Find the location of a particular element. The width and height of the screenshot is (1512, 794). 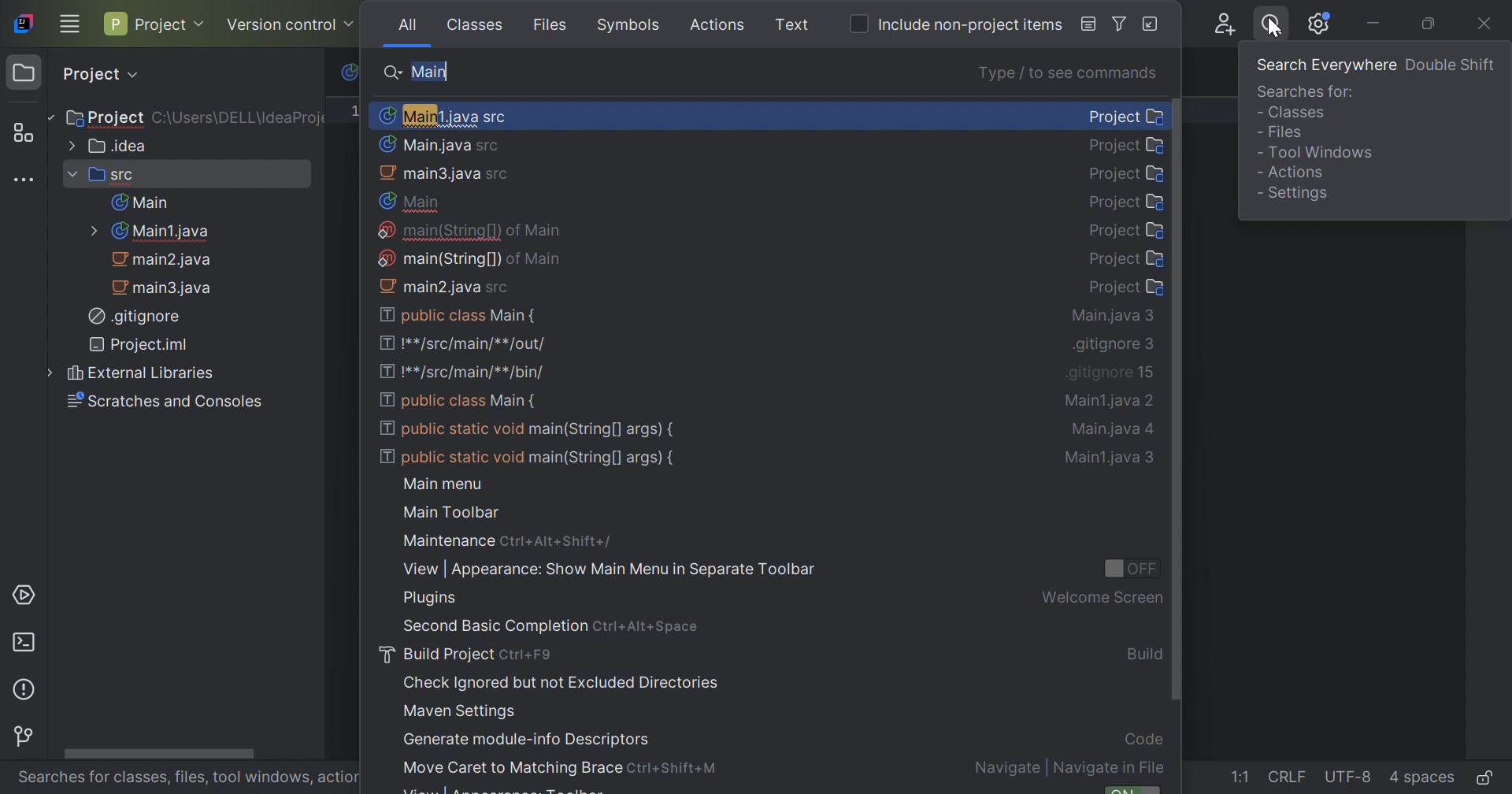

Search icon is located at coordinates (395, 72).